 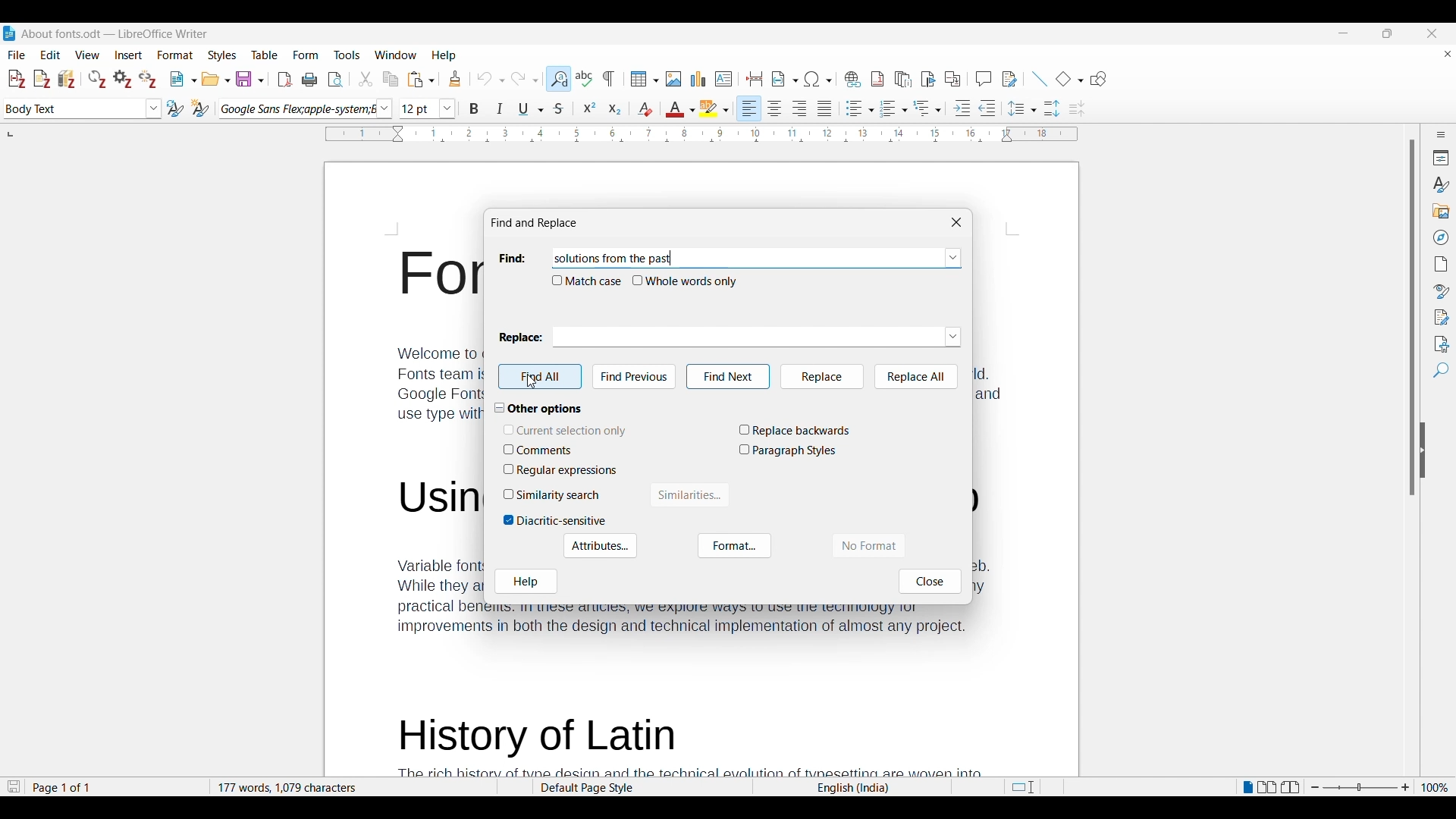 What do you see at coordinates (747, 337) in the screenshot?
I see `Enter text to be replaced` at bounding box center [747, 337].